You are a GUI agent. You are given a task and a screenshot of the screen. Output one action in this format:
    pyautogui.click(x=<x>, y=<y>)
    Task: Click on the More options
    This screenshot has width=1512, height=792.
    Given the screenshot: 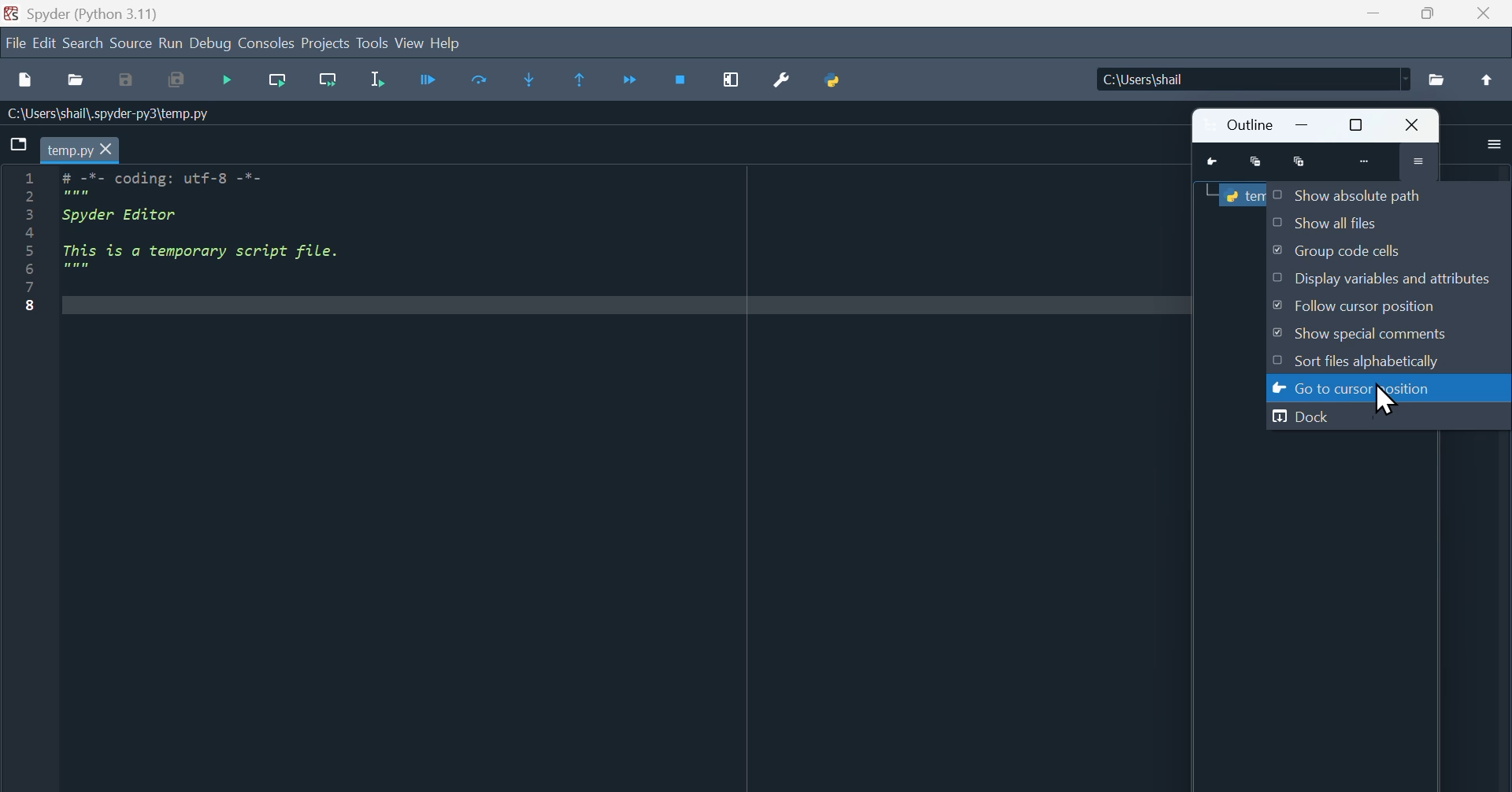 What is the action you would take?
    pyautogui.click(x=1493, y=143)
    